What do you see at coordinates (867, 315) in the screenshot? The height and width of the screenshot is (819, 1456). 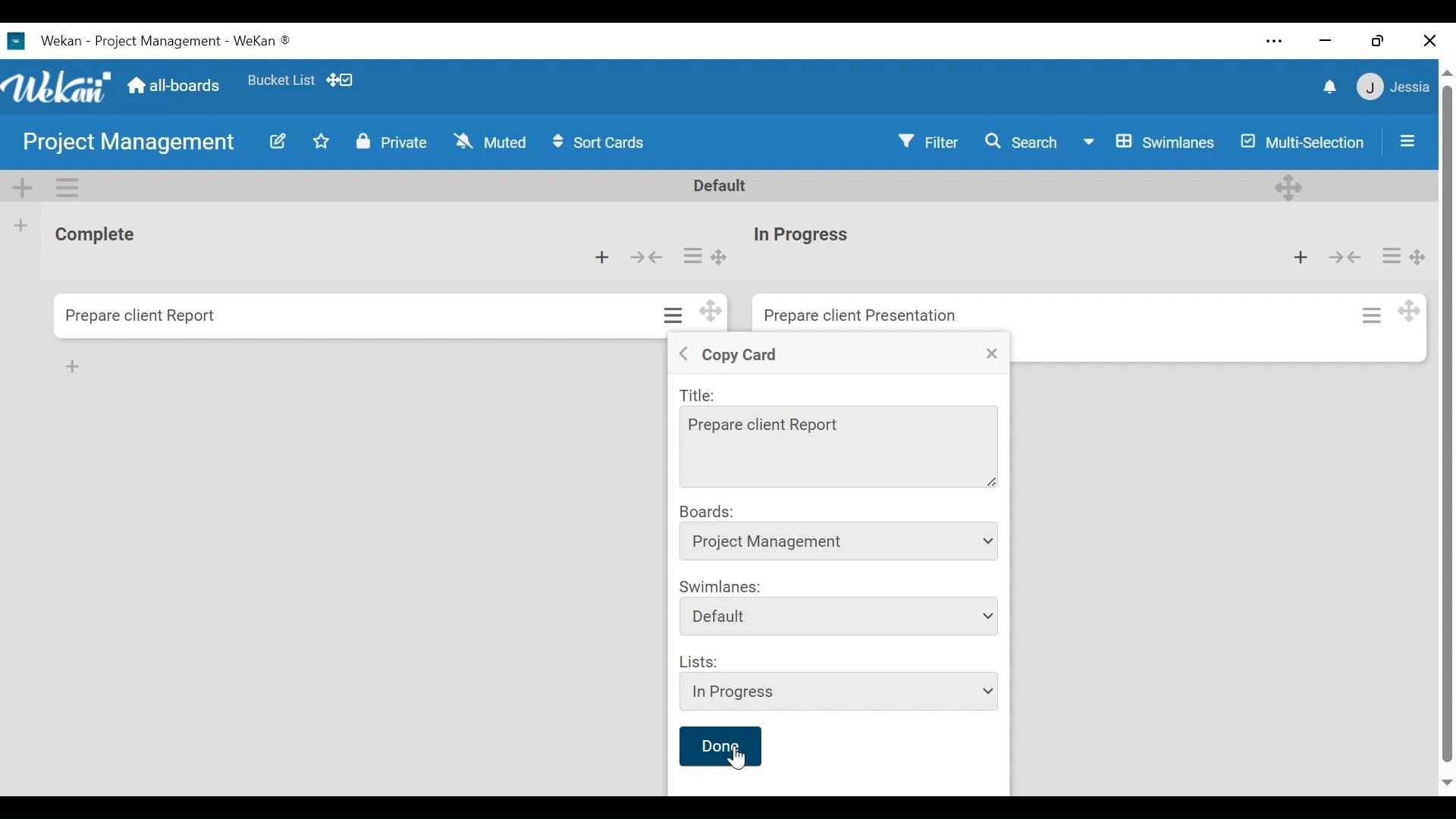 I see `Card Title` at bounding box center [867, 315].